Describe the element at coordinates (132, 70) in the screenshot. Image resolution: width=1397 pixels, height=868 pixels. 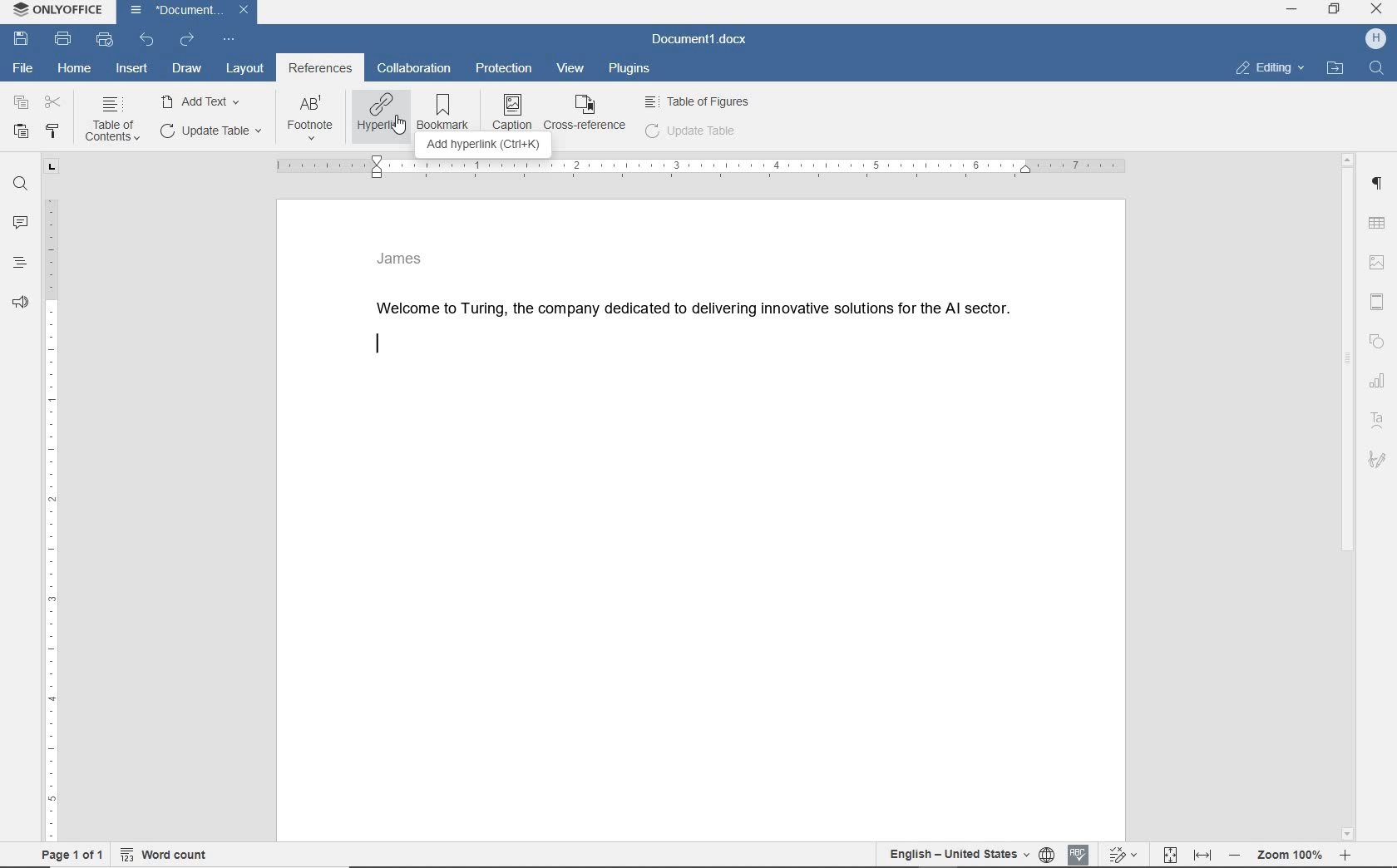
I see `insert` at that location.